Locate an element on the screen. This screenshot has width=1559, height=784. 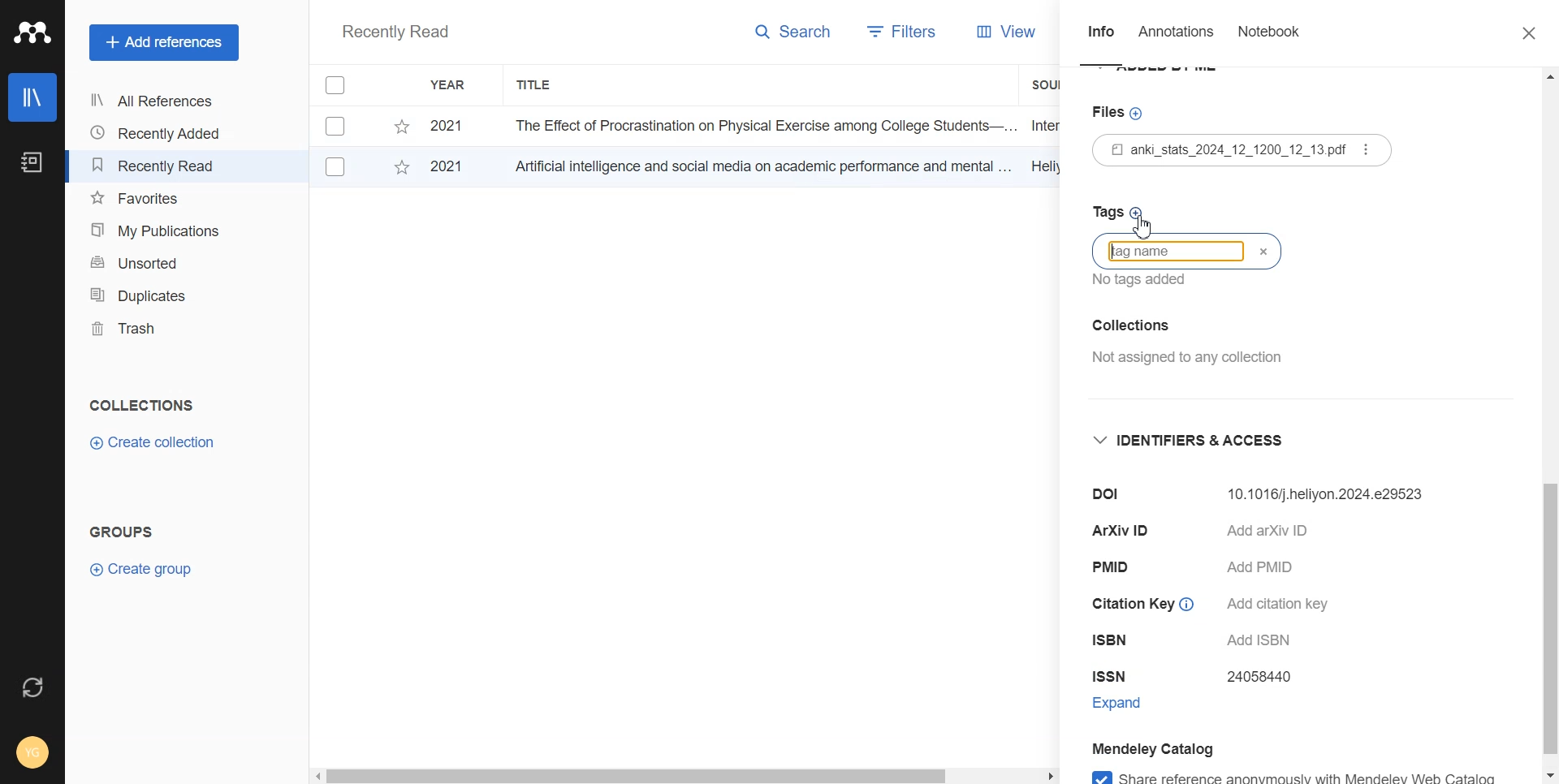
PMID Add PMID is located at coordinates (1204, 570).